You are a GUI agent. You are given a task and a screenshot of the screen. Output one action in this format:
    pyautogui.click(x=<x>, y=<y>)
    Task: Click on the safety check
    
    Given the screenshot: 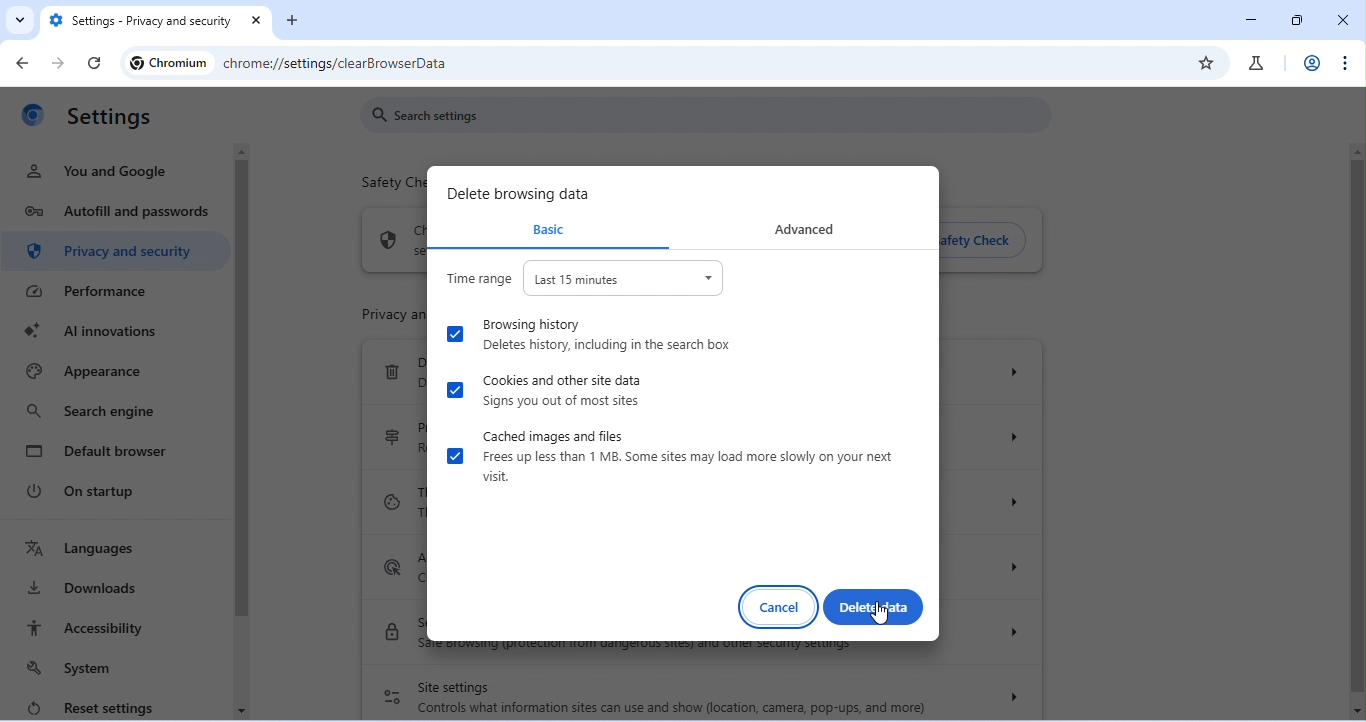 What is the action you would take?
    pyautogui.click(x=386, y=185)
    